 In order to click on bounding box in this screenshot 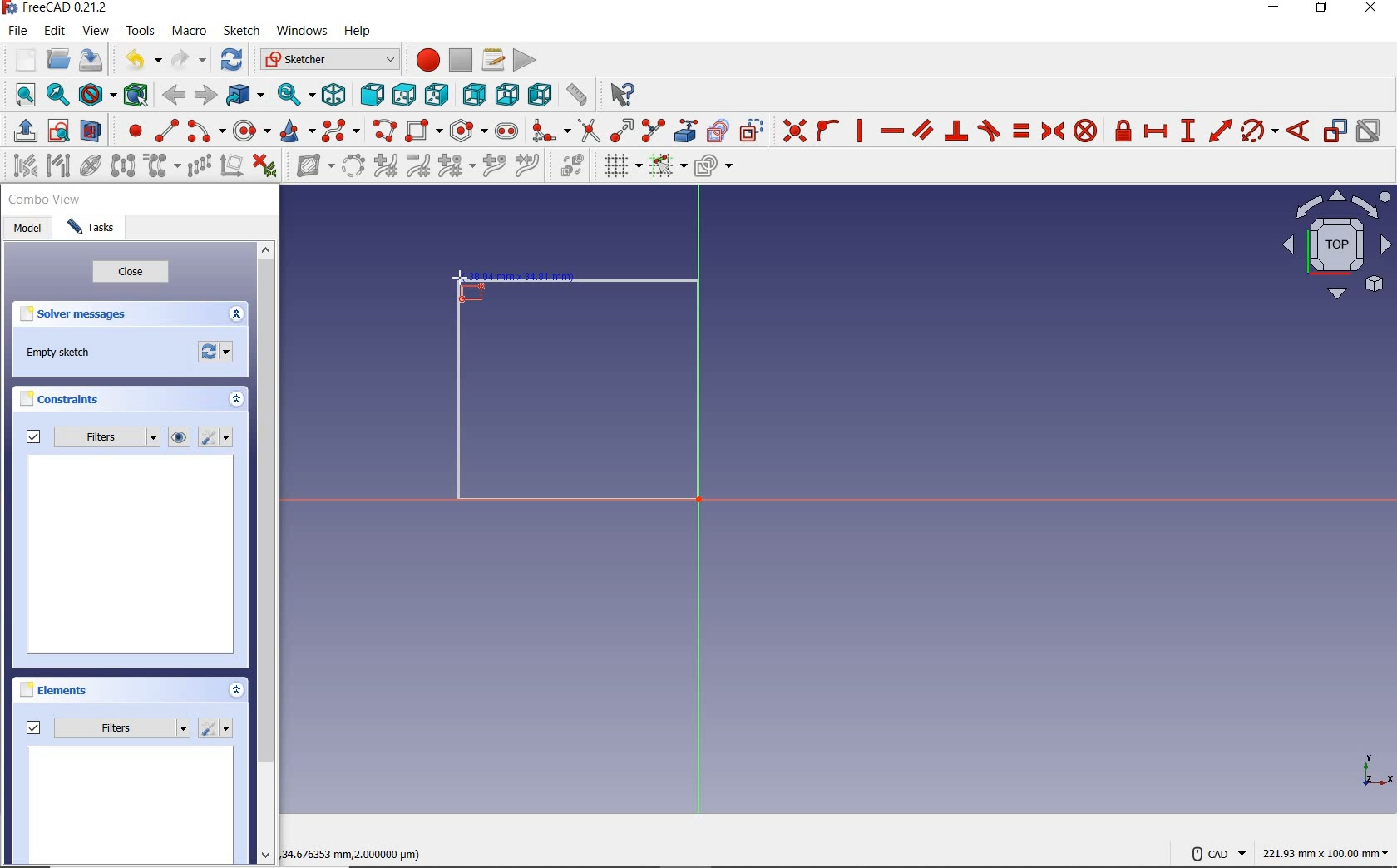, I will do `click(133, 94)`.